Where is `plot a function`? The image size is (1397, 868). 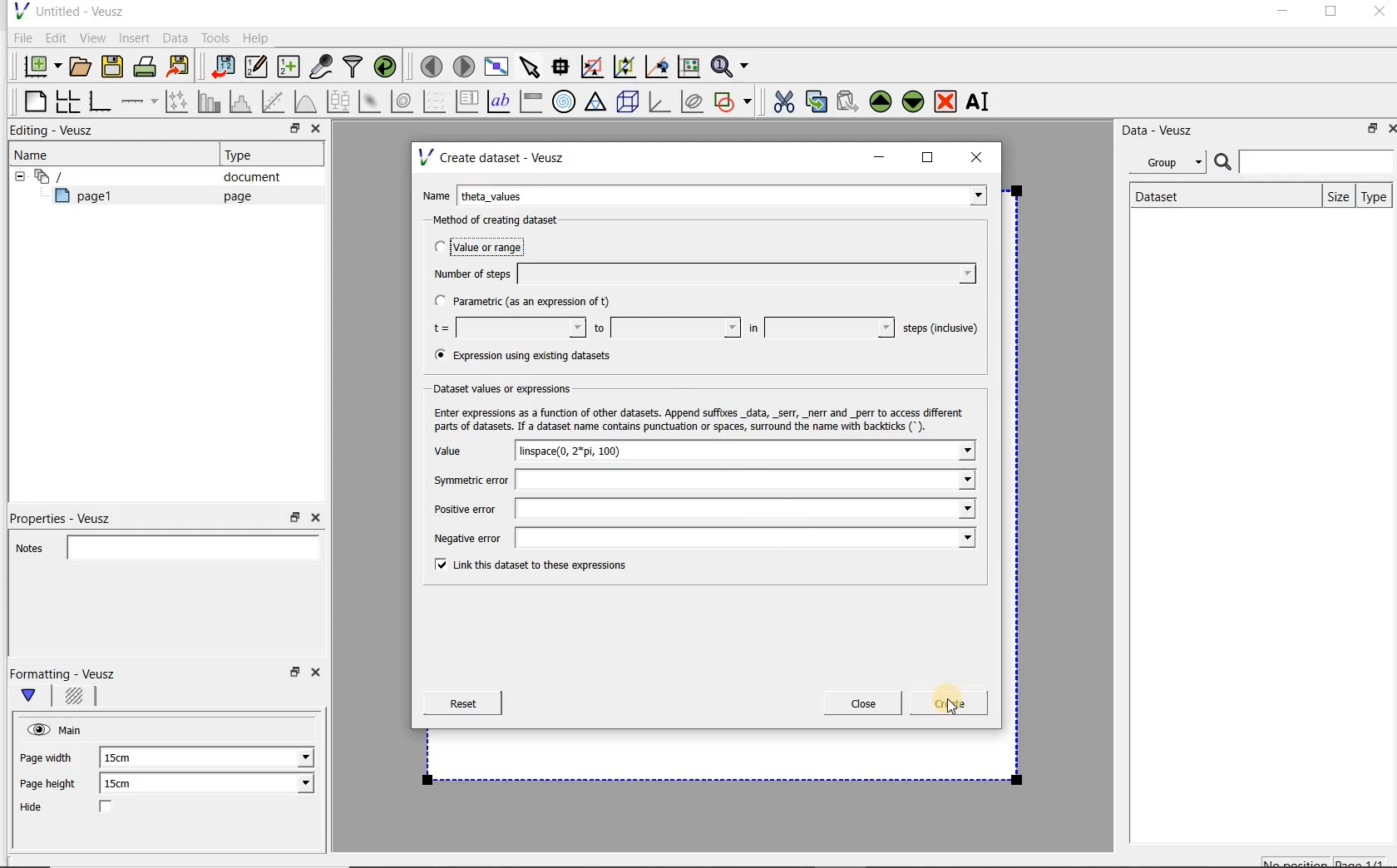
plot a function is located at coordinates (304, 101).